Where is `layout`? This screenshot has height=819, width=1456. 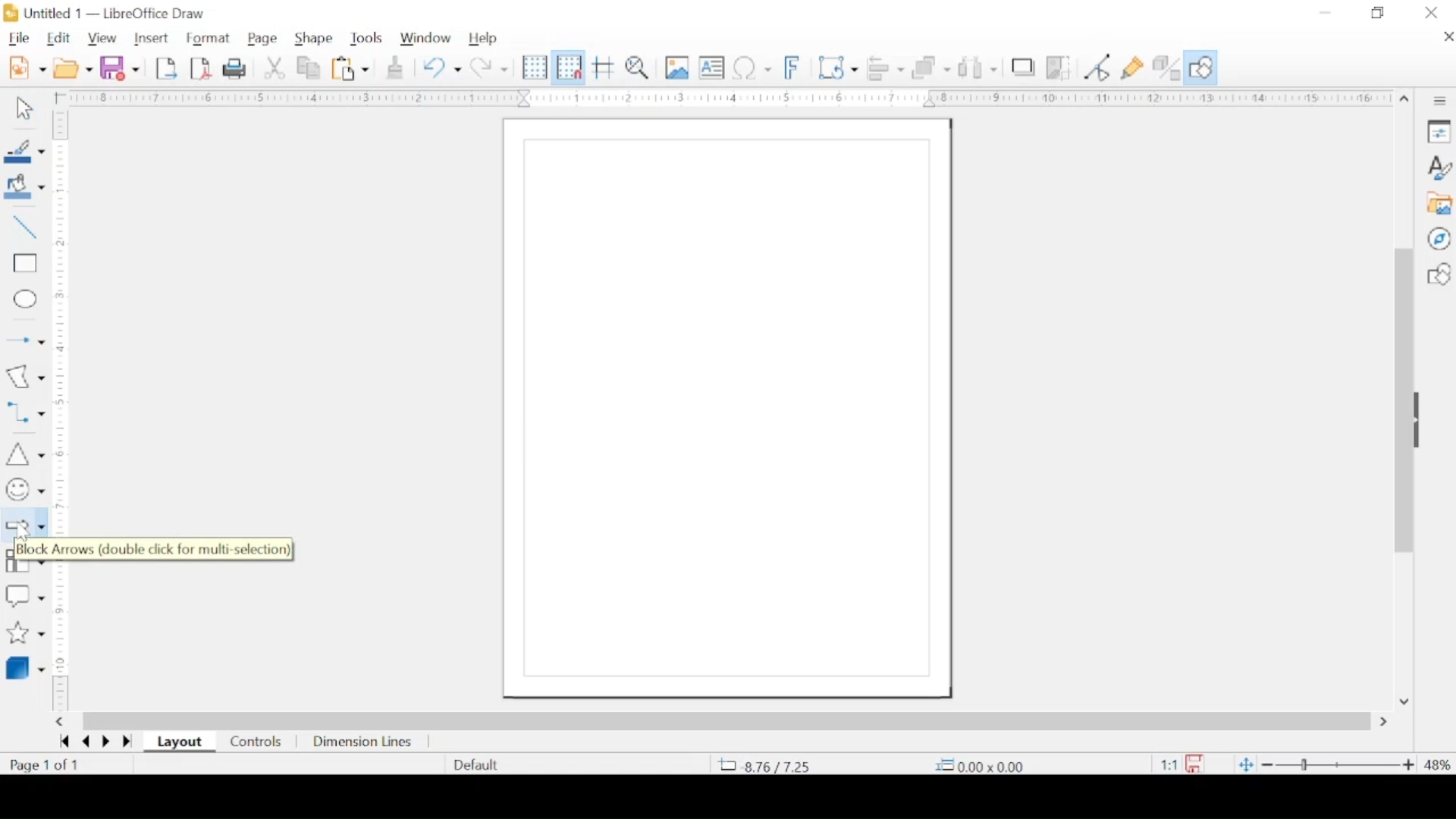
layout is located at coordinates (180, 742).